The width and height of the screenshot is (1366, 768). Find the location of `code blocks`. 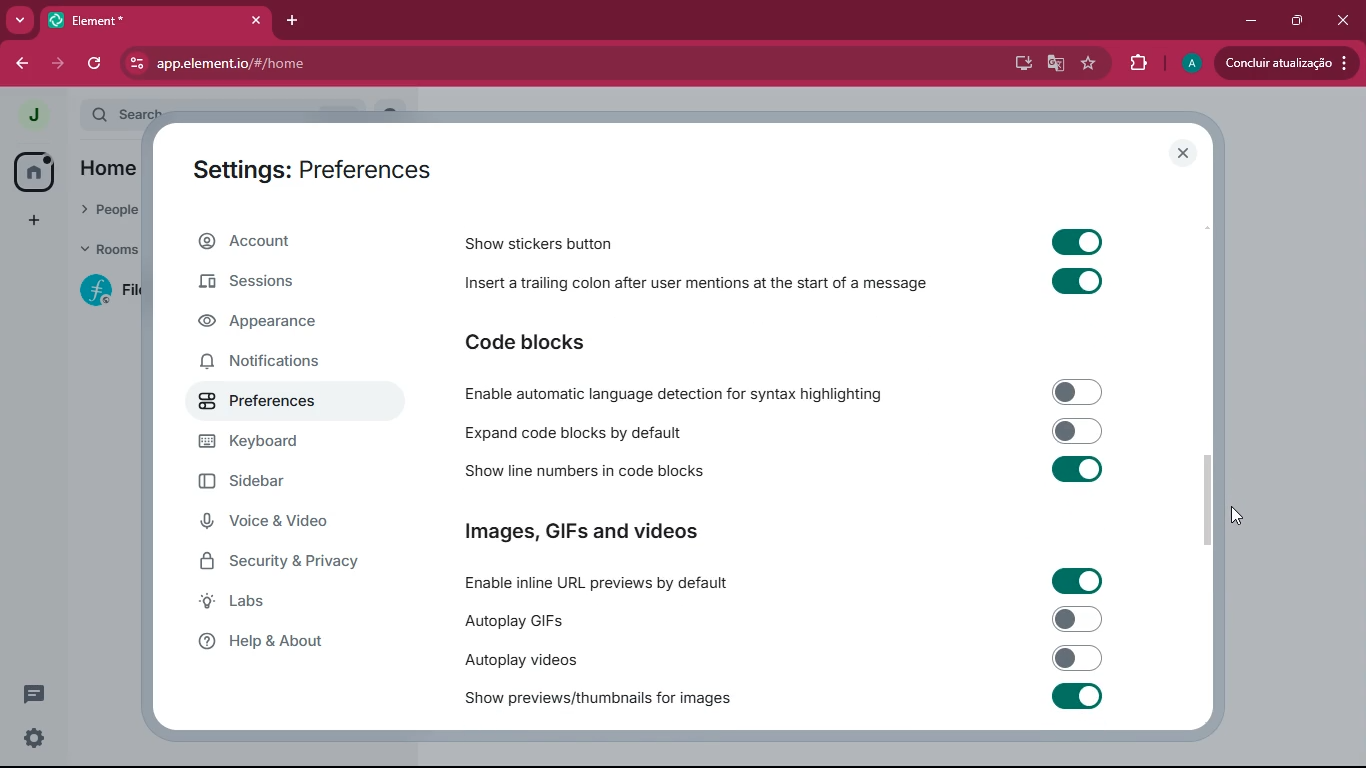

code blocks is located at coordinates (573, 342).